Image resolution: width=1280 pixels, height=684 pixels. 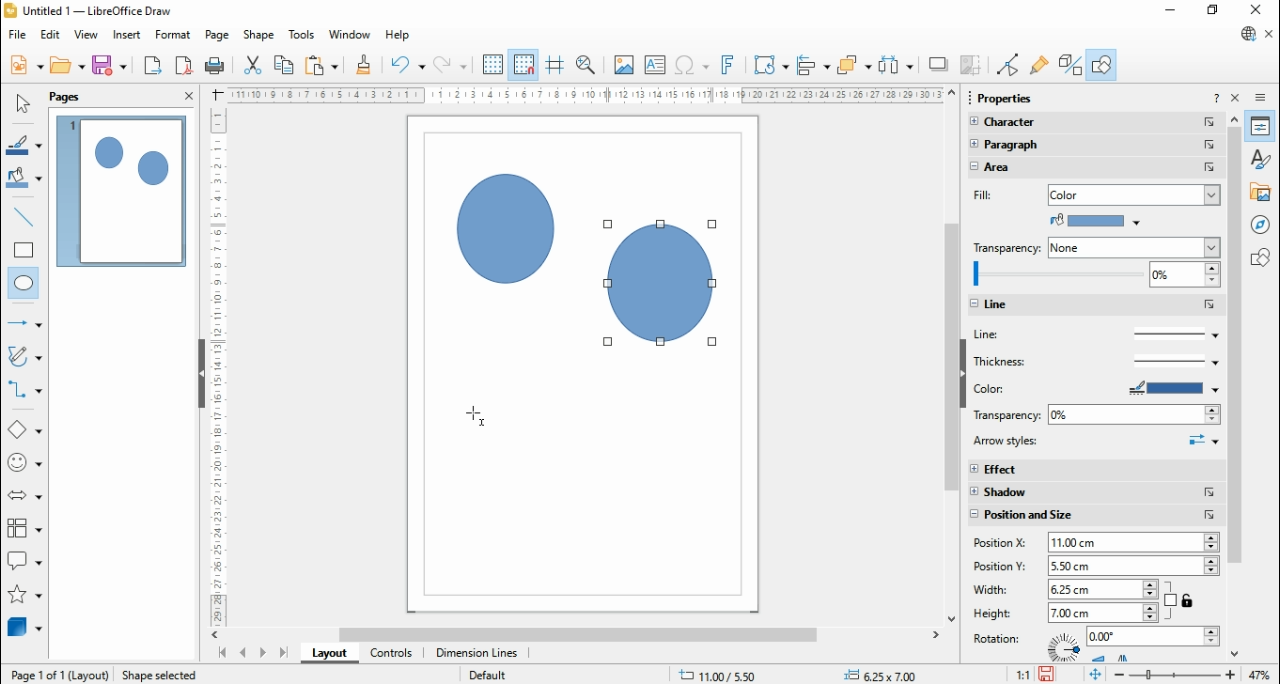 I want to click on thickness, so click(x=1096, y=360).